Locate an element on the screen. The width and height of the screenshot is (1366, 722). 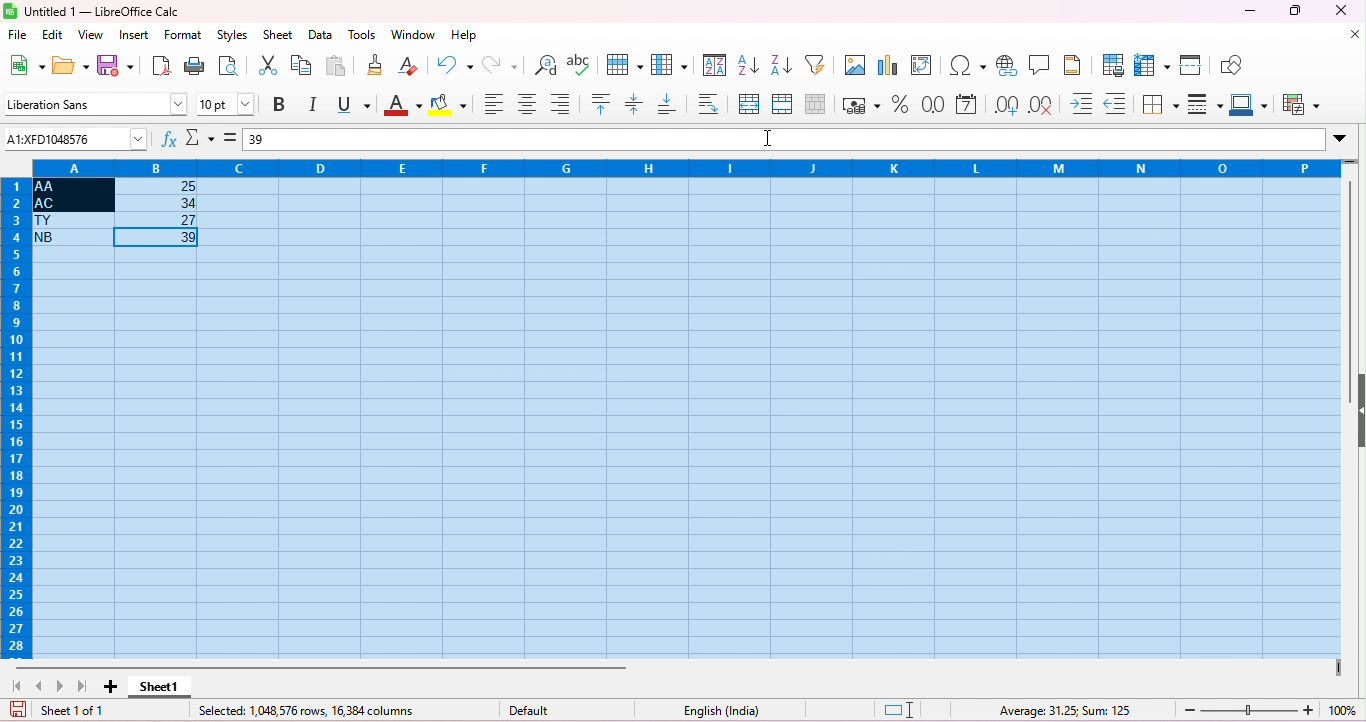
redo is located at coordinates (503, 64).